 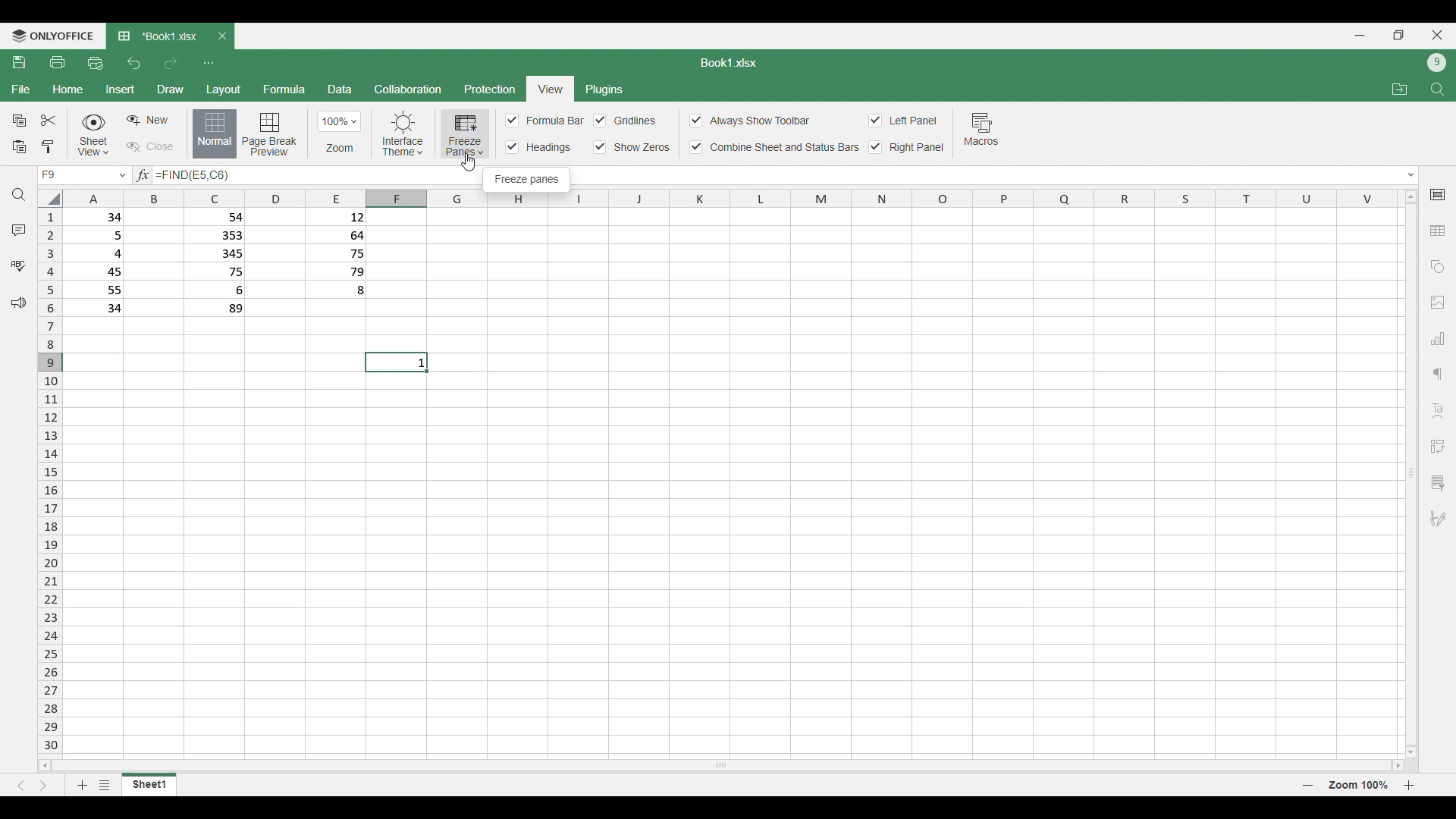 What do you see at coordinates (58, 62) in the screenshot?
I see `Print file` at bounding box center [58, 62].